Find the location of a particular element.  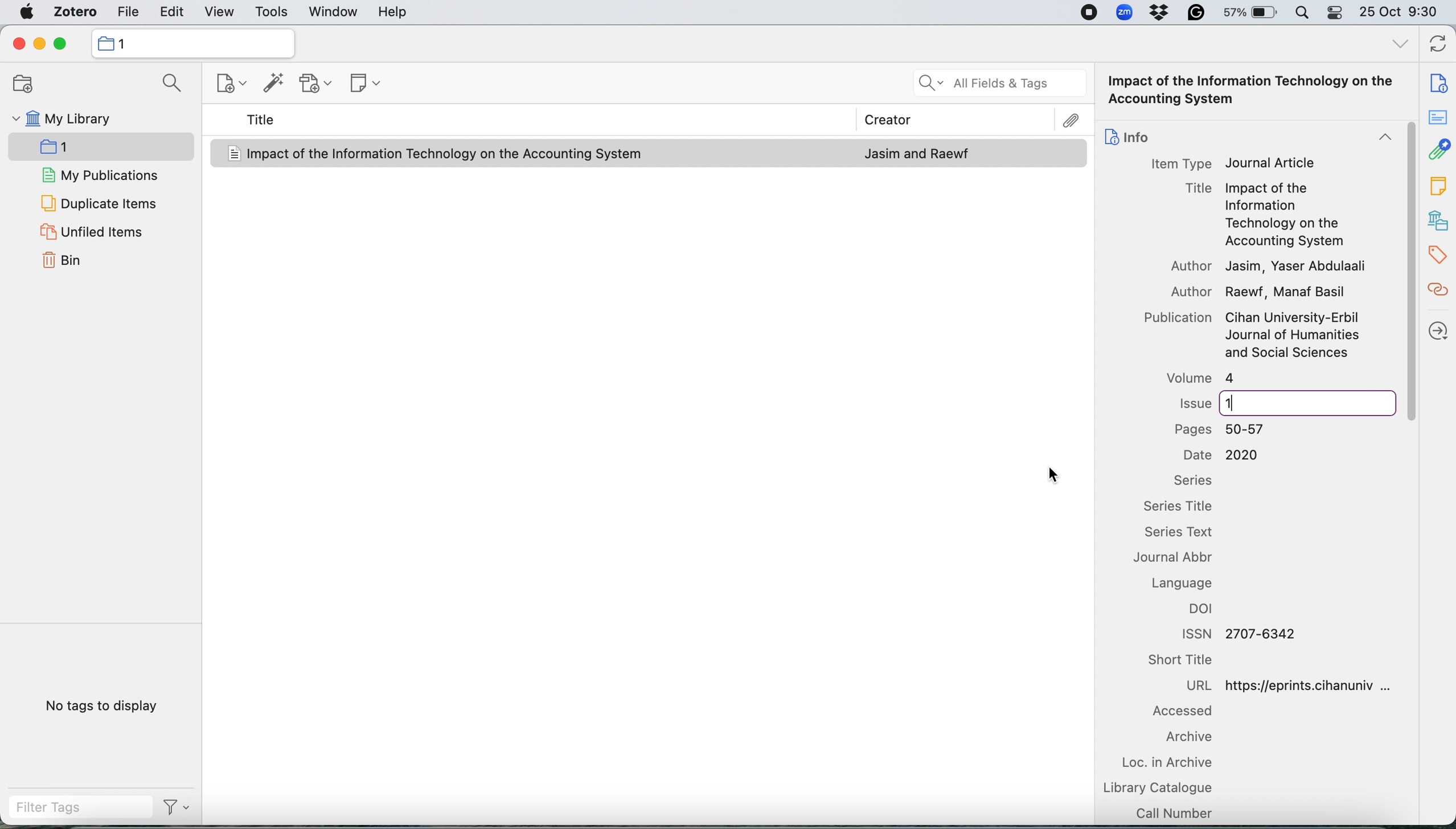

Impact of the Information Technology on the Accounting SYstem is located at coordinates (1256, 91).